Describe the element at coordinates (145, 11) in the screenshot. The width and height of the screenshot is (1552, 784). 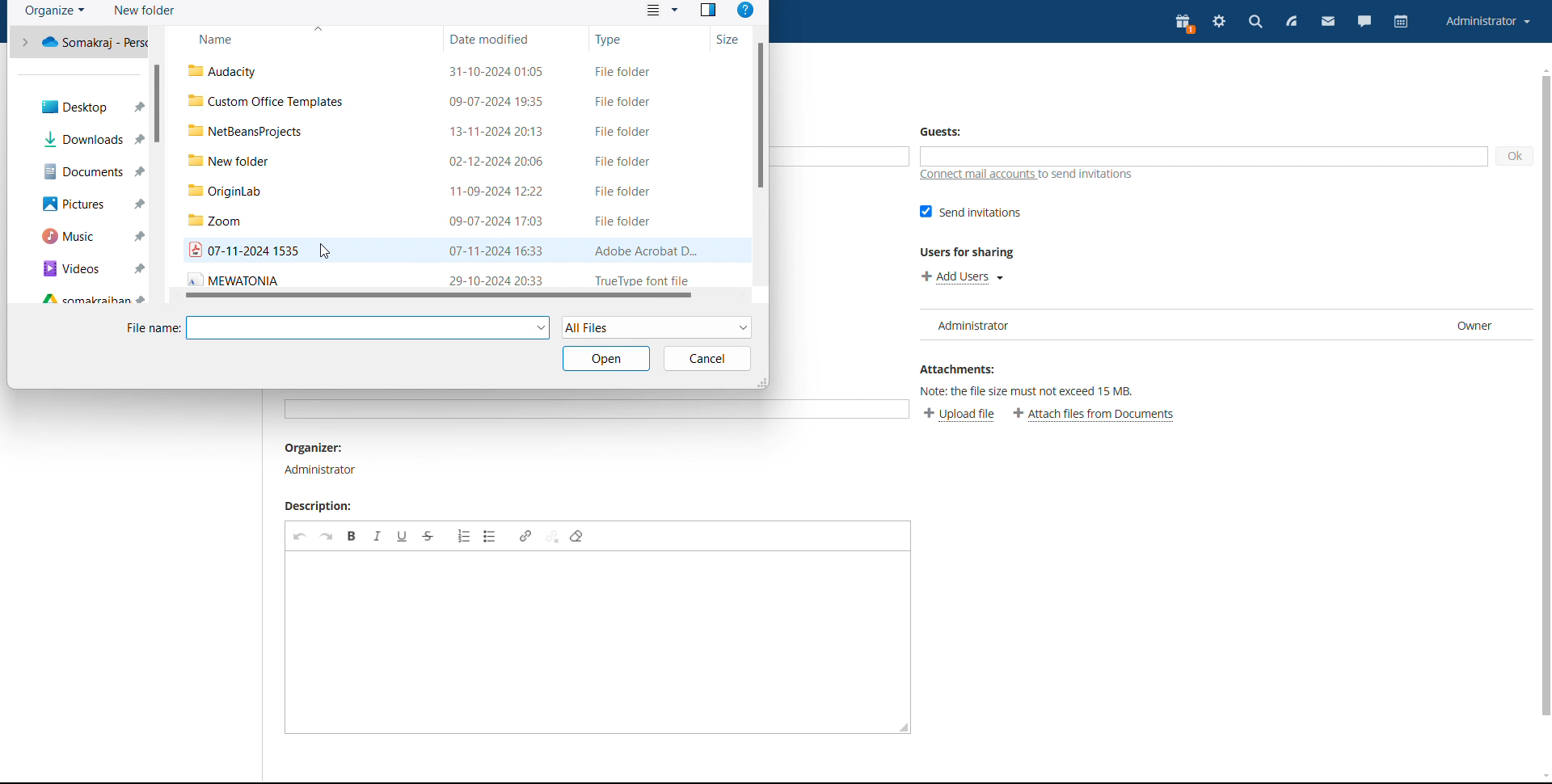
I see `new folder` at that location.